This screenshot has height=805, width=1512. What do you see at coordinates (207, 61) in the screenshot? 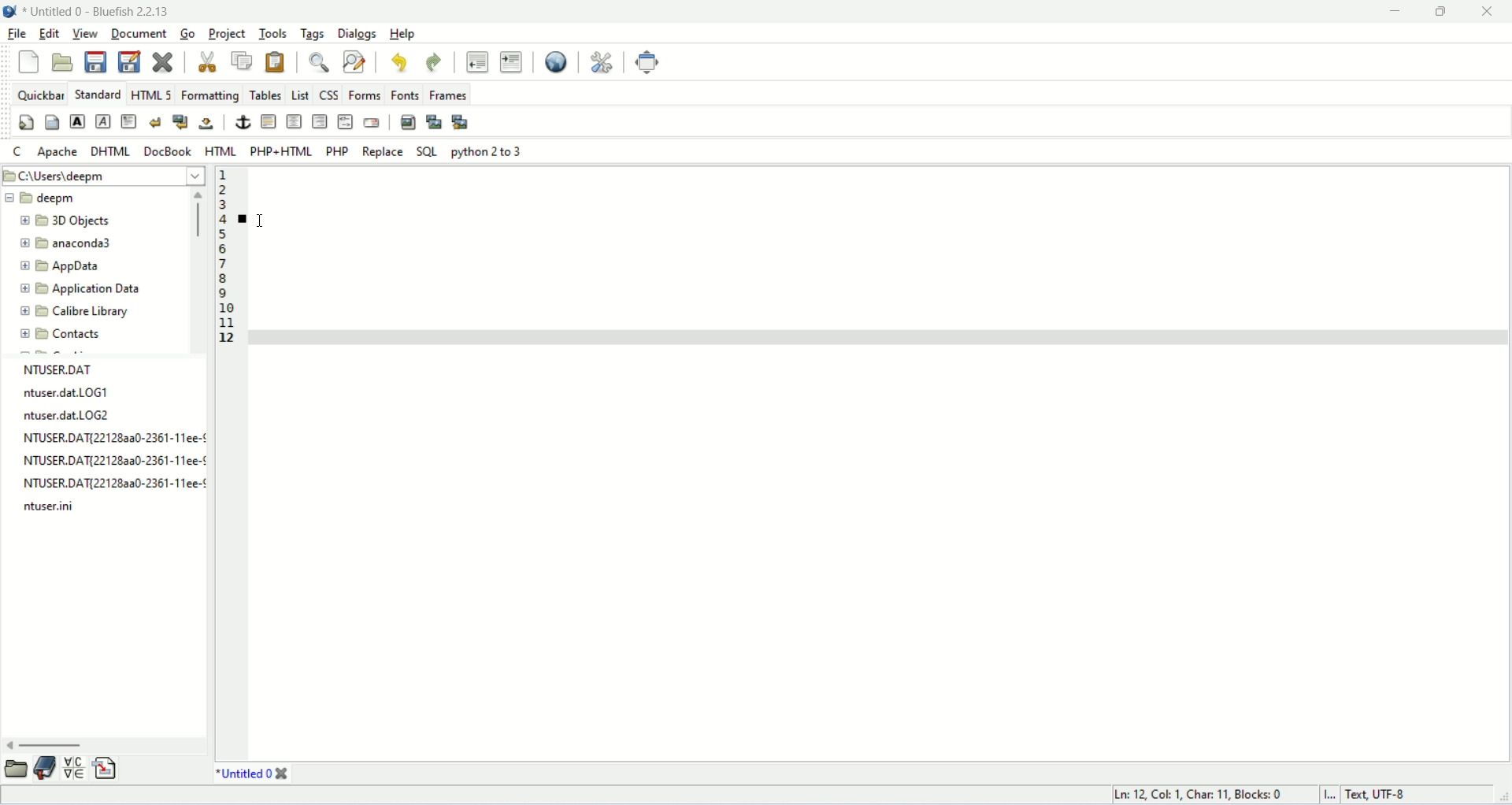
I see `cut` at bounding box center [207, 61].